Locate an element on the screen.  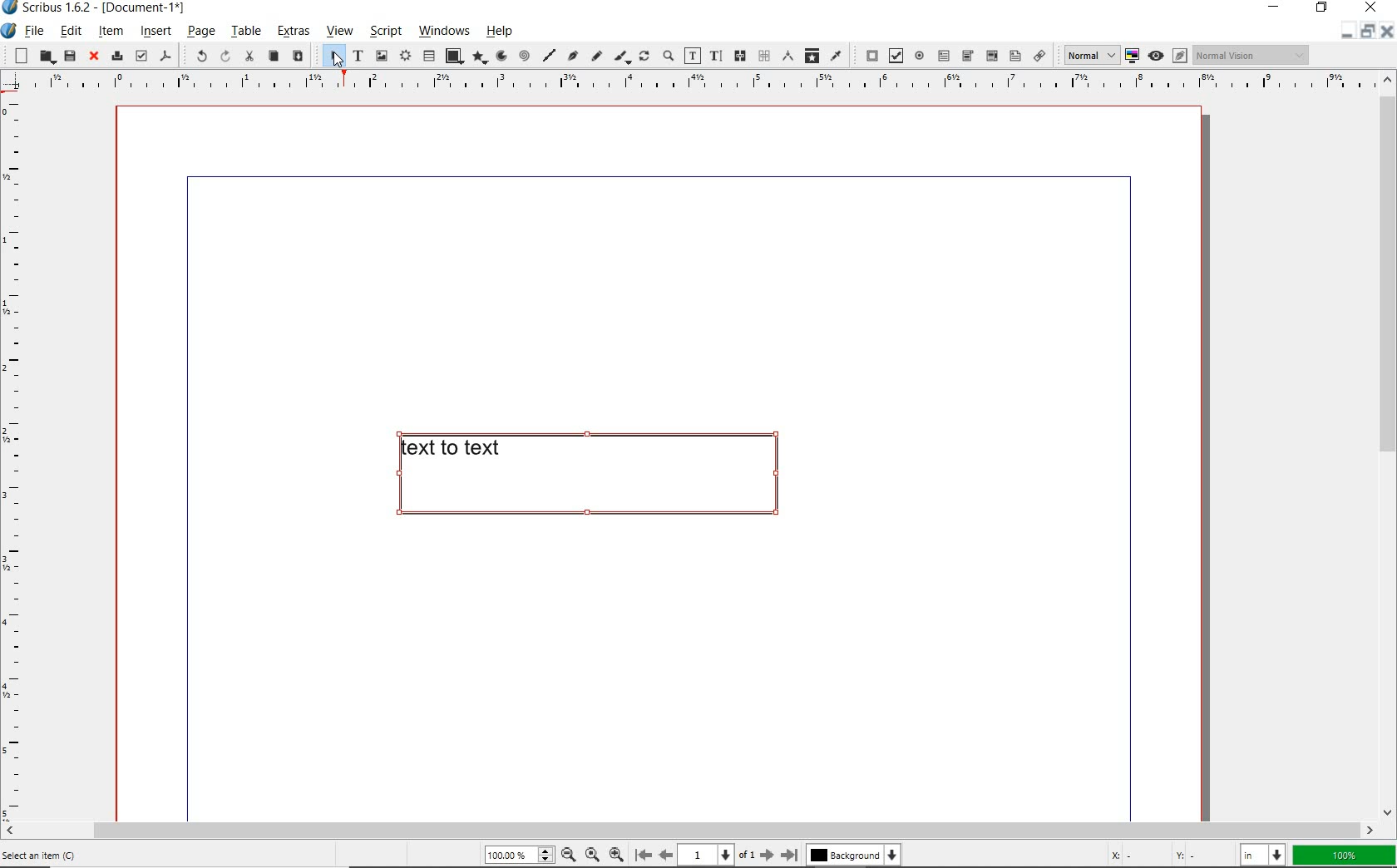
toggle color is located at coordinates (1133, 57).